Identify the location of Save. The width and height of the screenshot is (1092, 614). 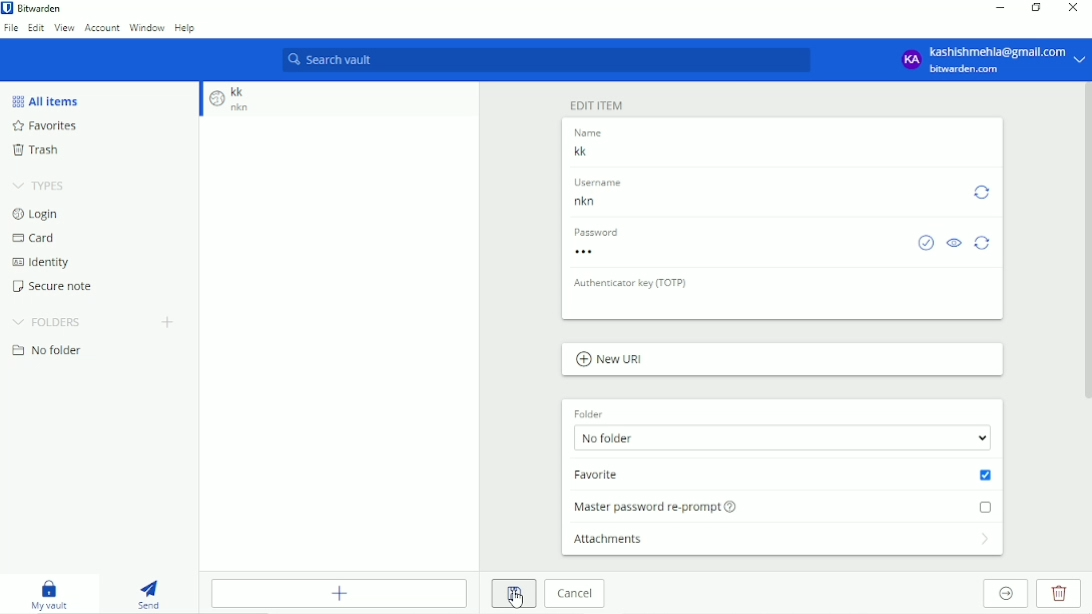
(515, 594).